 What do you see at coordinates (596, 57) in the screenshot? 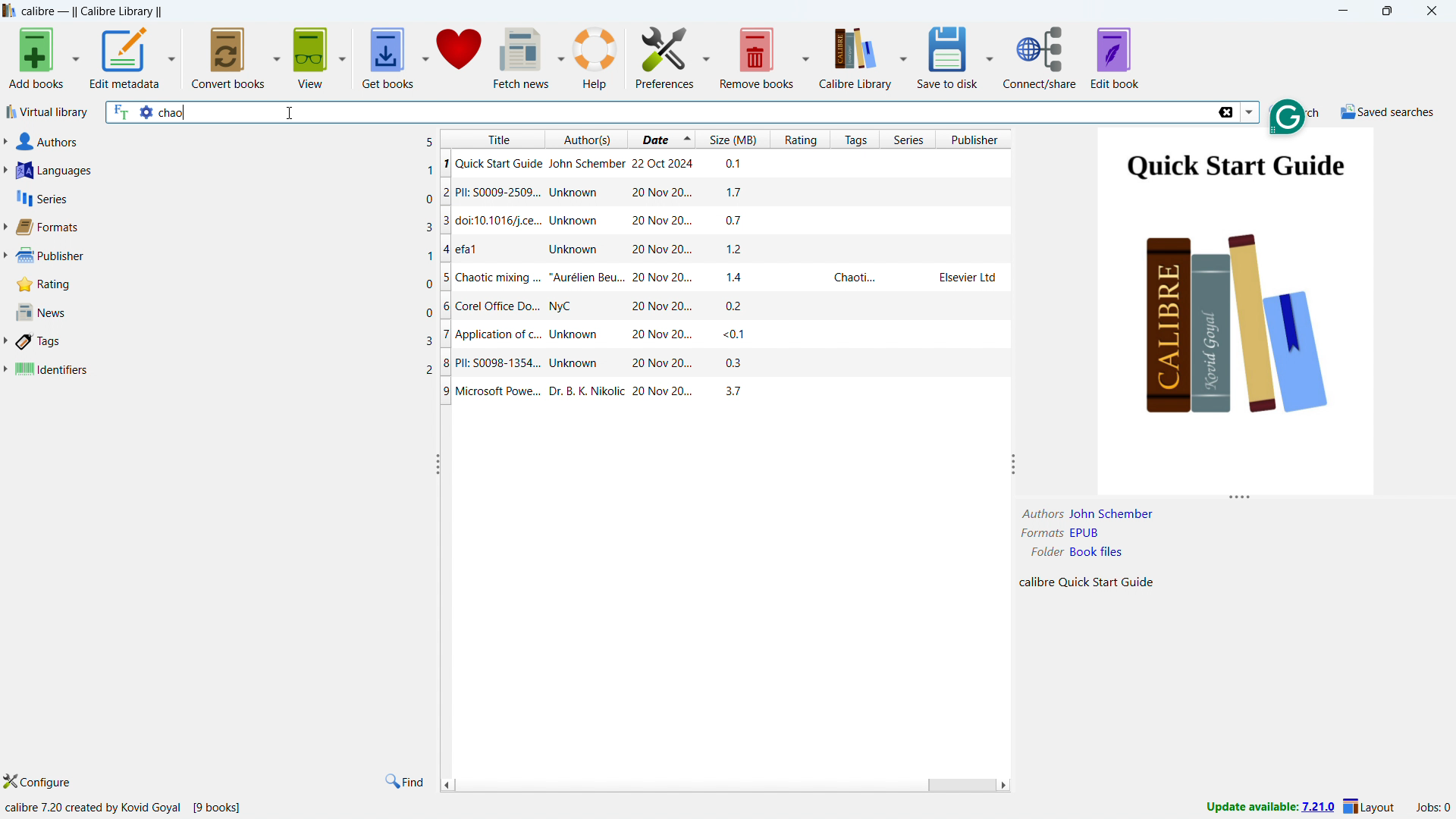
I see `help` at bounding box center [596, 57].